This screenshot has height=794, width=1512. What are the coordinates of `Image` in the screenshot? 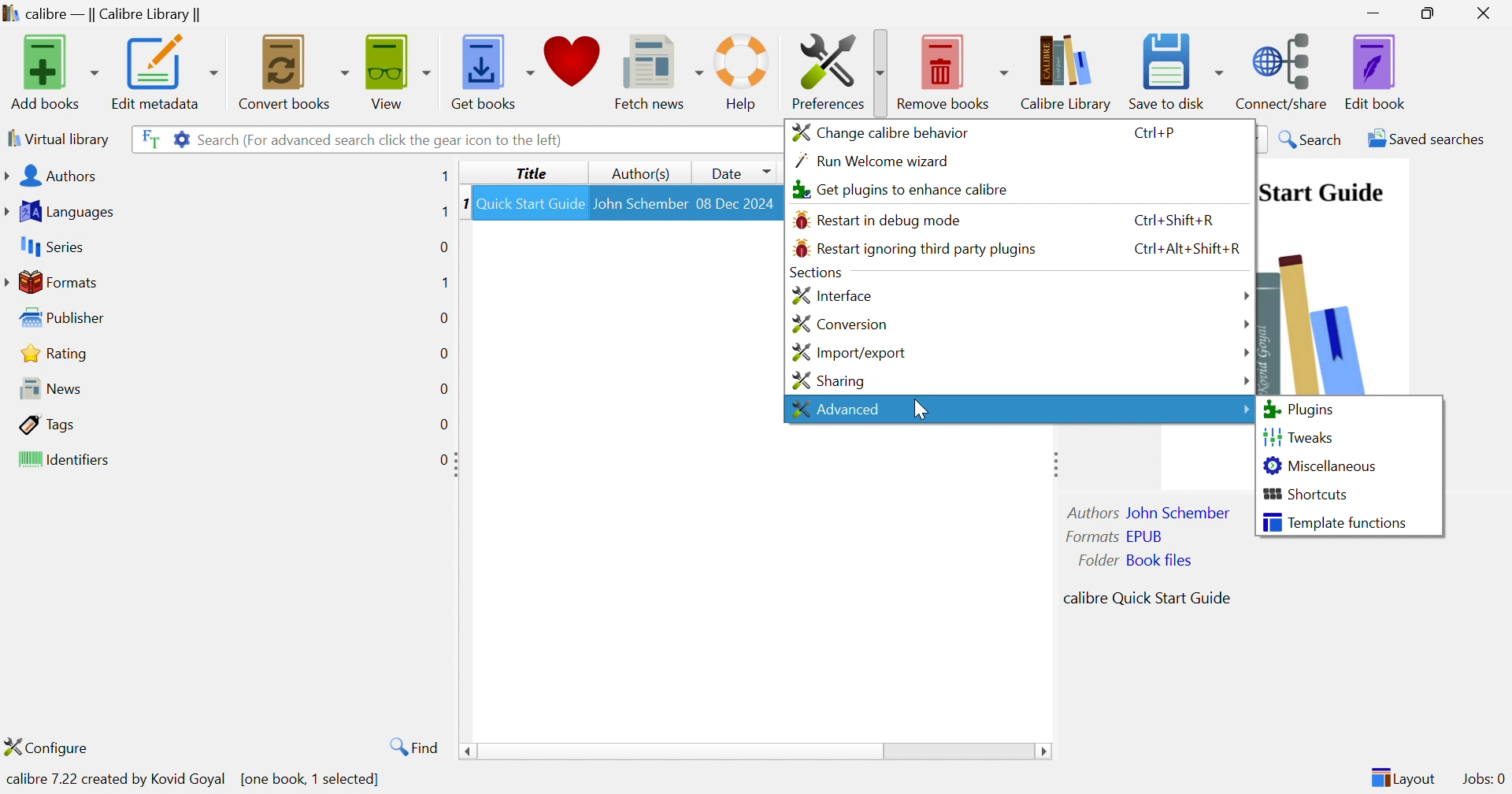 It's located at (1316, 317).